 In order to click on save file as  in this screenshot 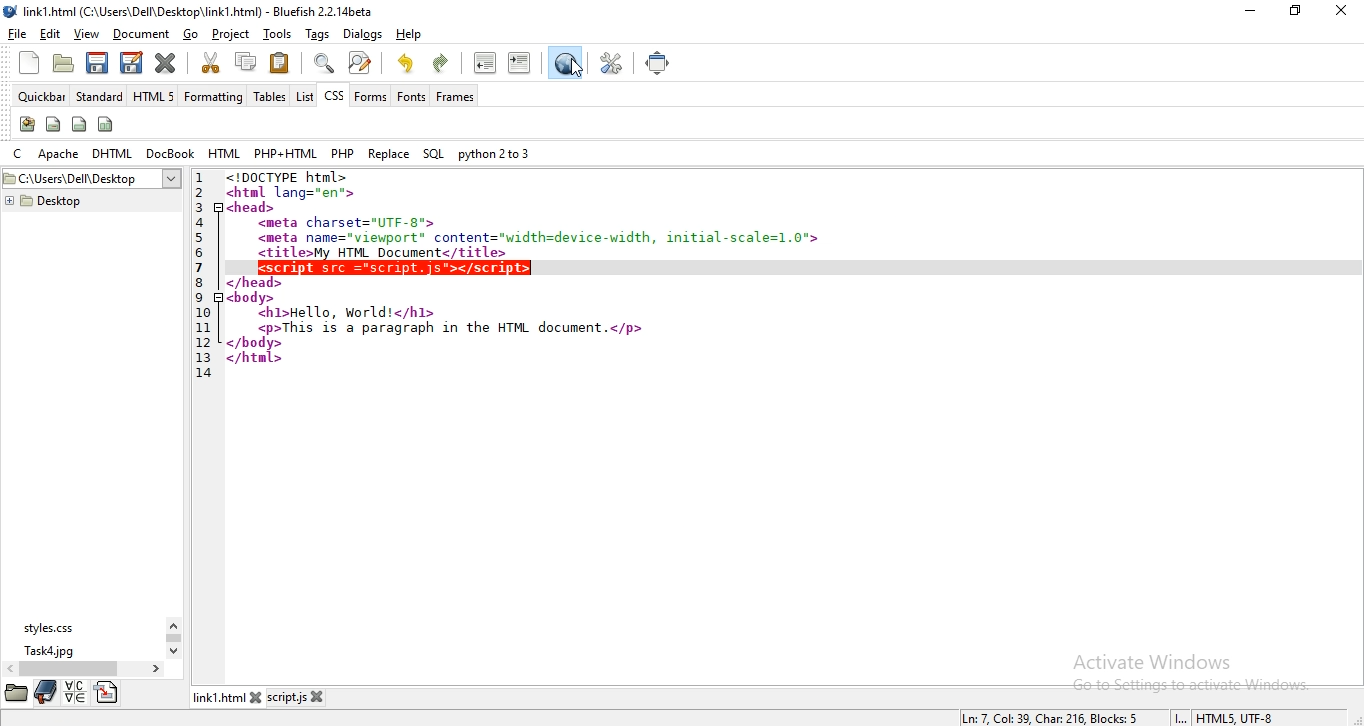, I will do `click(130, 63)`.